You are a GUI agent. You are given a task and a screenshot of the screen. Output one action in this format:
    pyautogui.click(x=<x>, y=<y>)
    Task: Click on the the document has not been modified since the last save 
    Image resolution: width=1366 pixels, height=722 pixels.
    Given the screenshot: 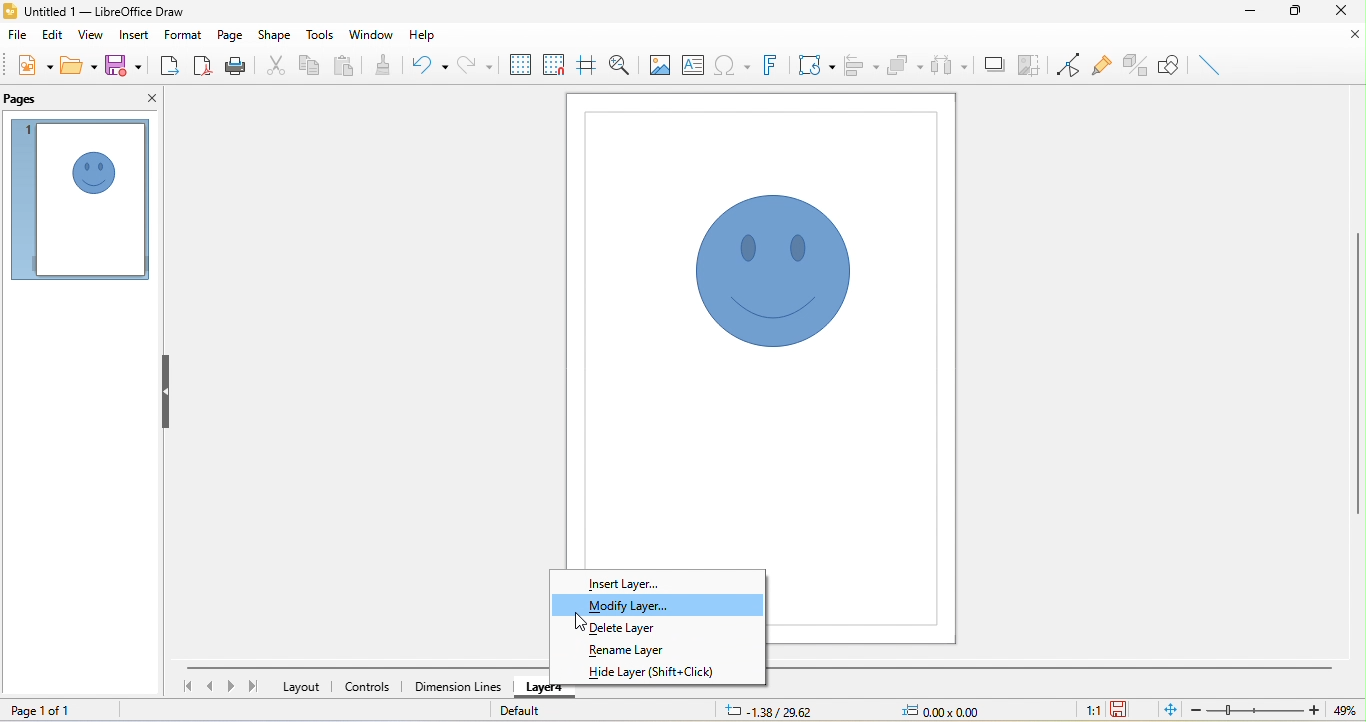 What is the action you would take?
    pyautogui.click(x=1126, y=710)
    